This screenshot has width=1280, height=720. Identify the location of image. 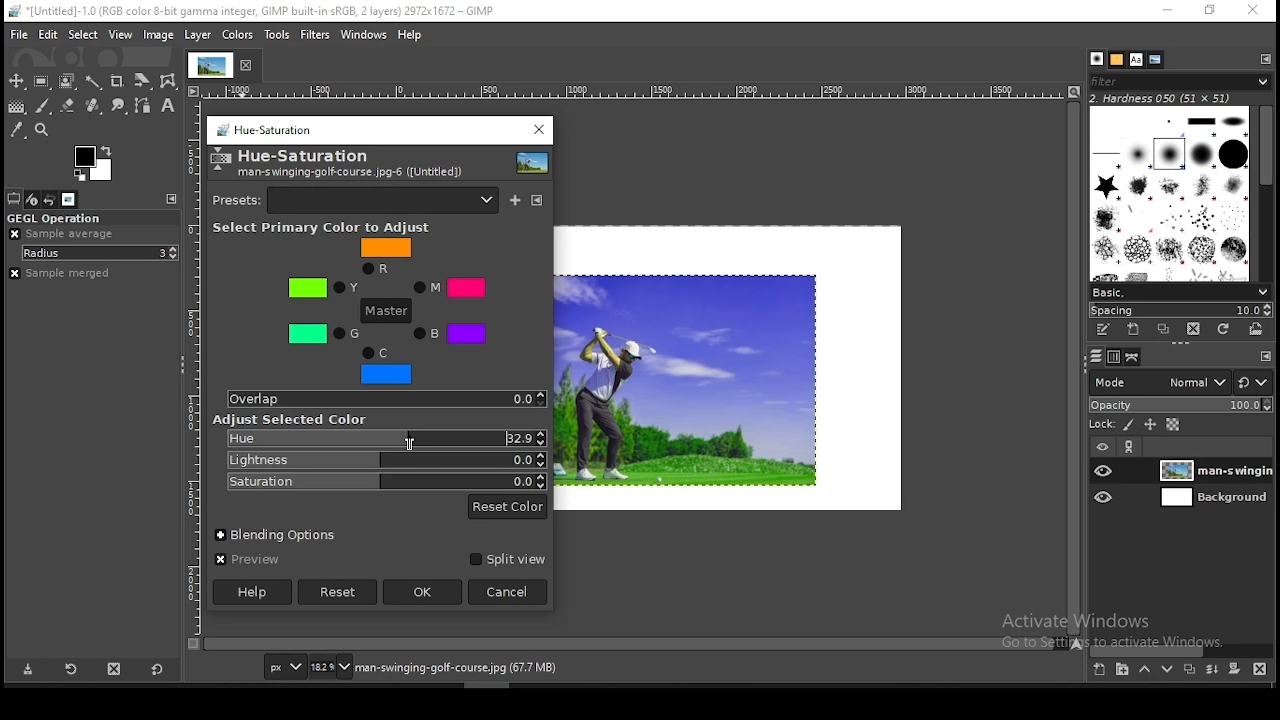
(159, 34).